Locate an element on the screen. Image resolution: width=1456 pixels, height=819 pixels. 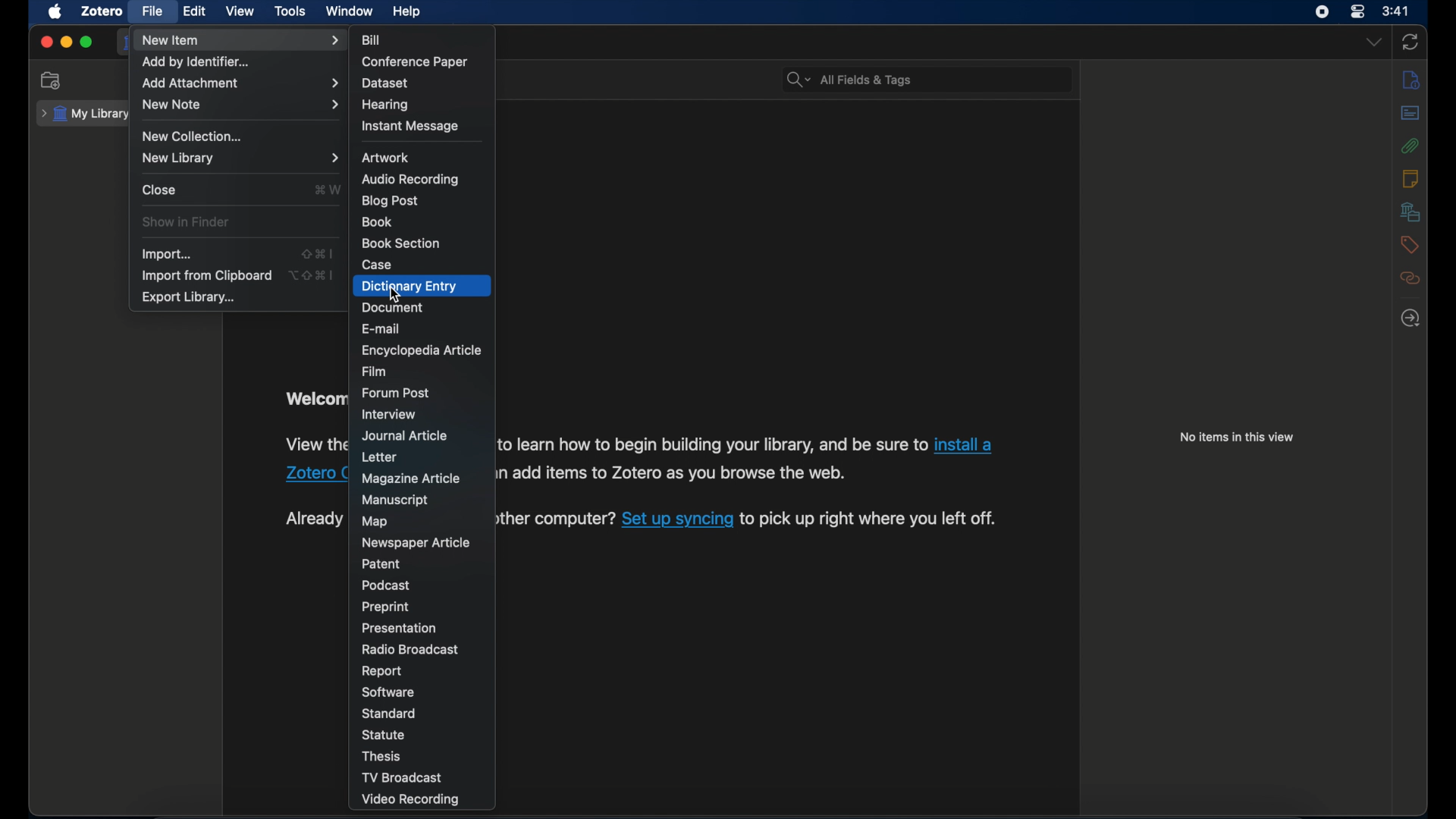
conference paper is located at coordinates (414, 62).